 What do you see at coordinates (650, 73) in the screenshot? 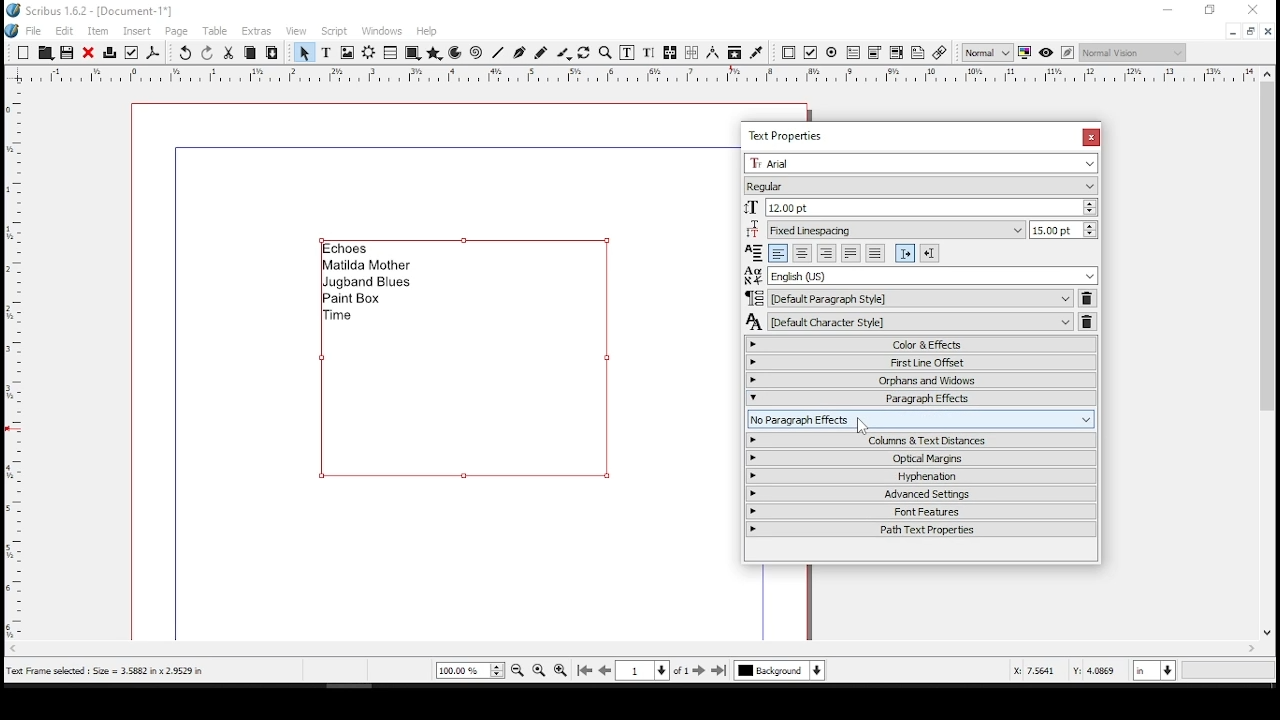
I see `horizontal scale` at bounding box center [650, 73].